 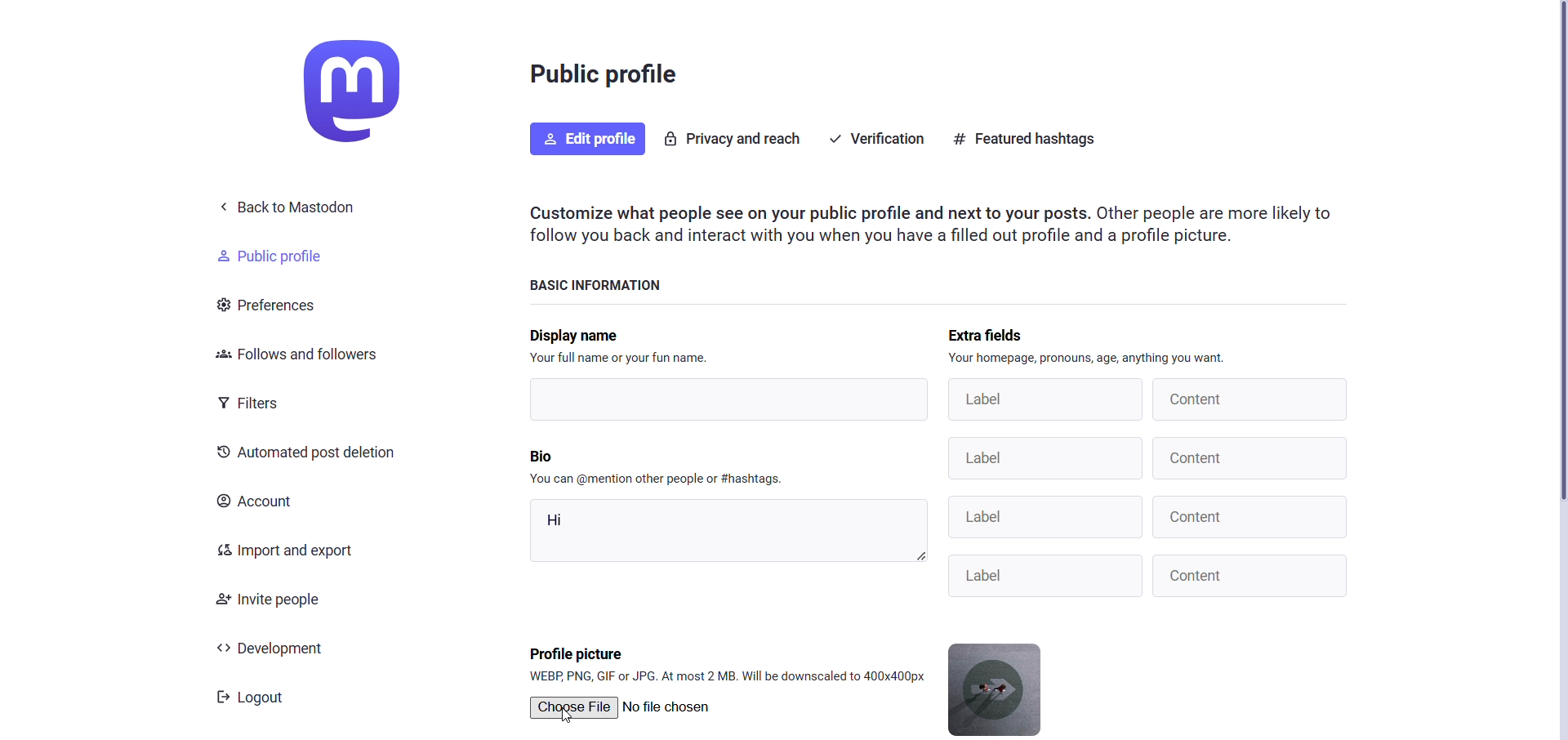 What do you see at coordinates (342, 87) in the screenshot?
I see `logo` at bounding box center [342, 87].